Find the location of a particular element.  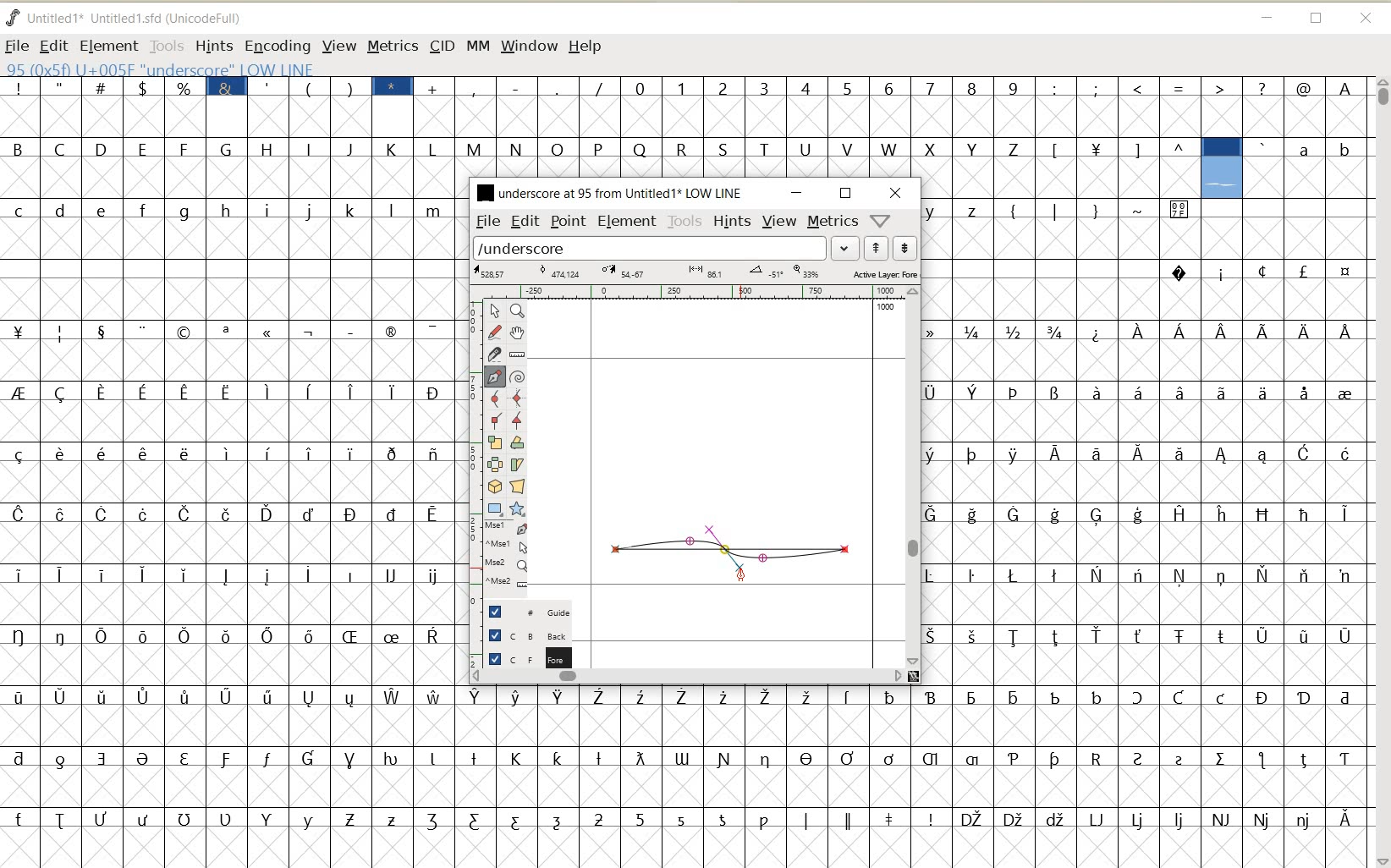

an underscore with a unique twist creation is located at coordinates (731, 546).